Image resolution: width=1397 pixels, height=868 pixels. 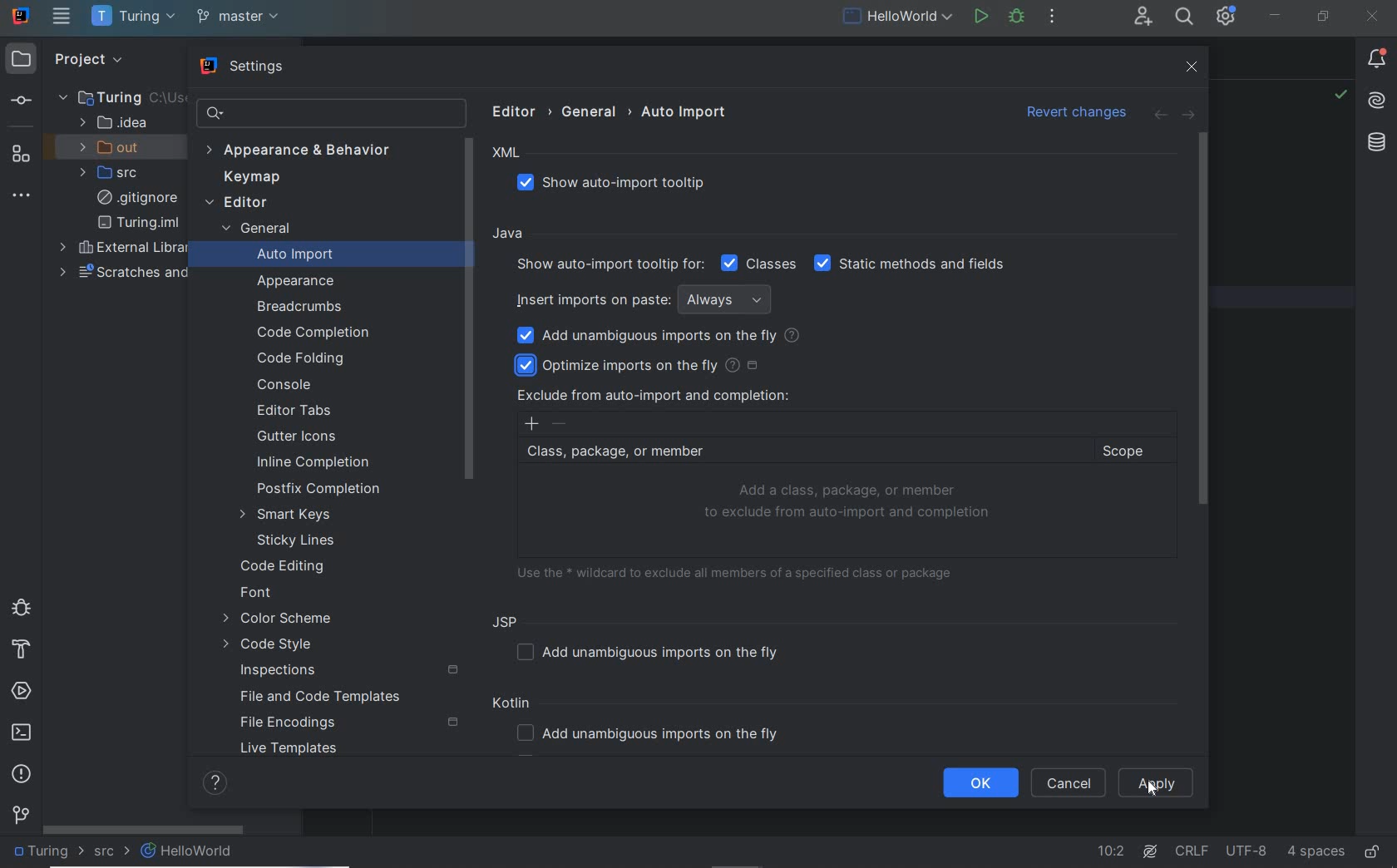 I want to click on AI Assistant, so click(x=1153, y=851).